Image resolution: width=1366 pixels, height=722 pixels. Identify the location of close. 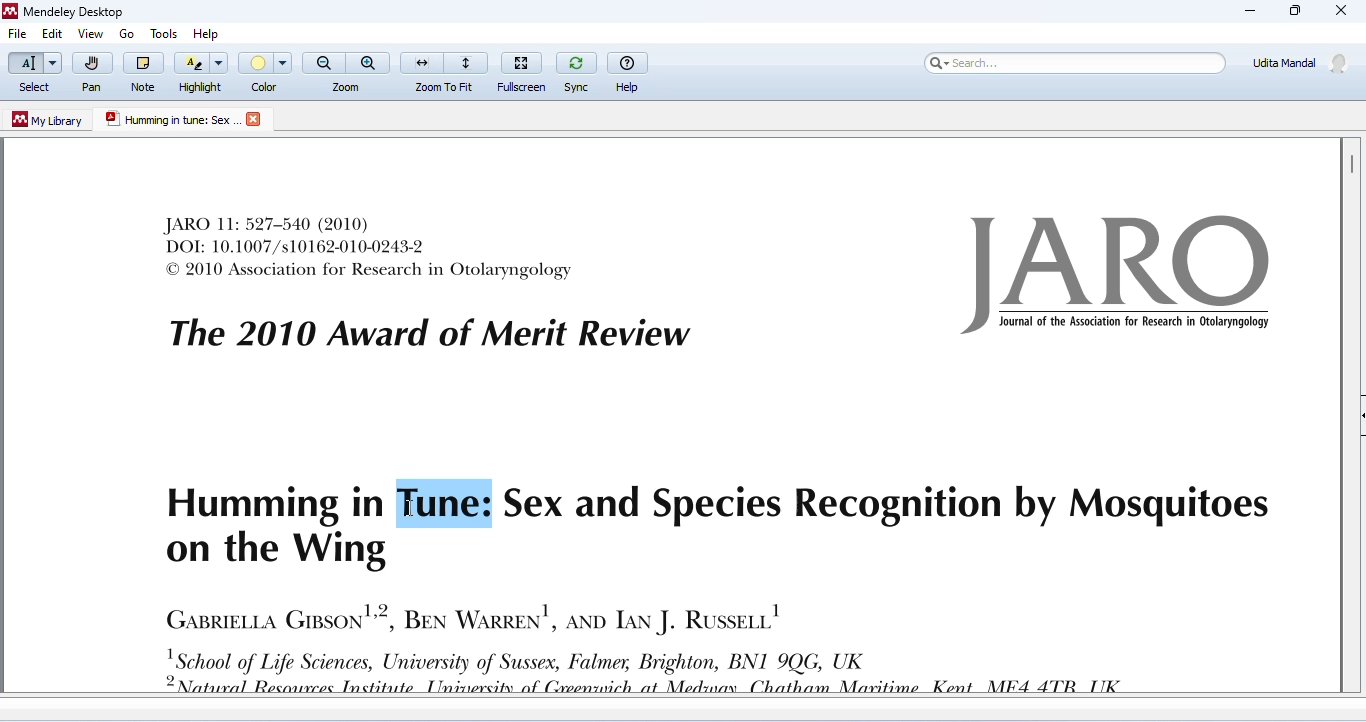
(256, 119).